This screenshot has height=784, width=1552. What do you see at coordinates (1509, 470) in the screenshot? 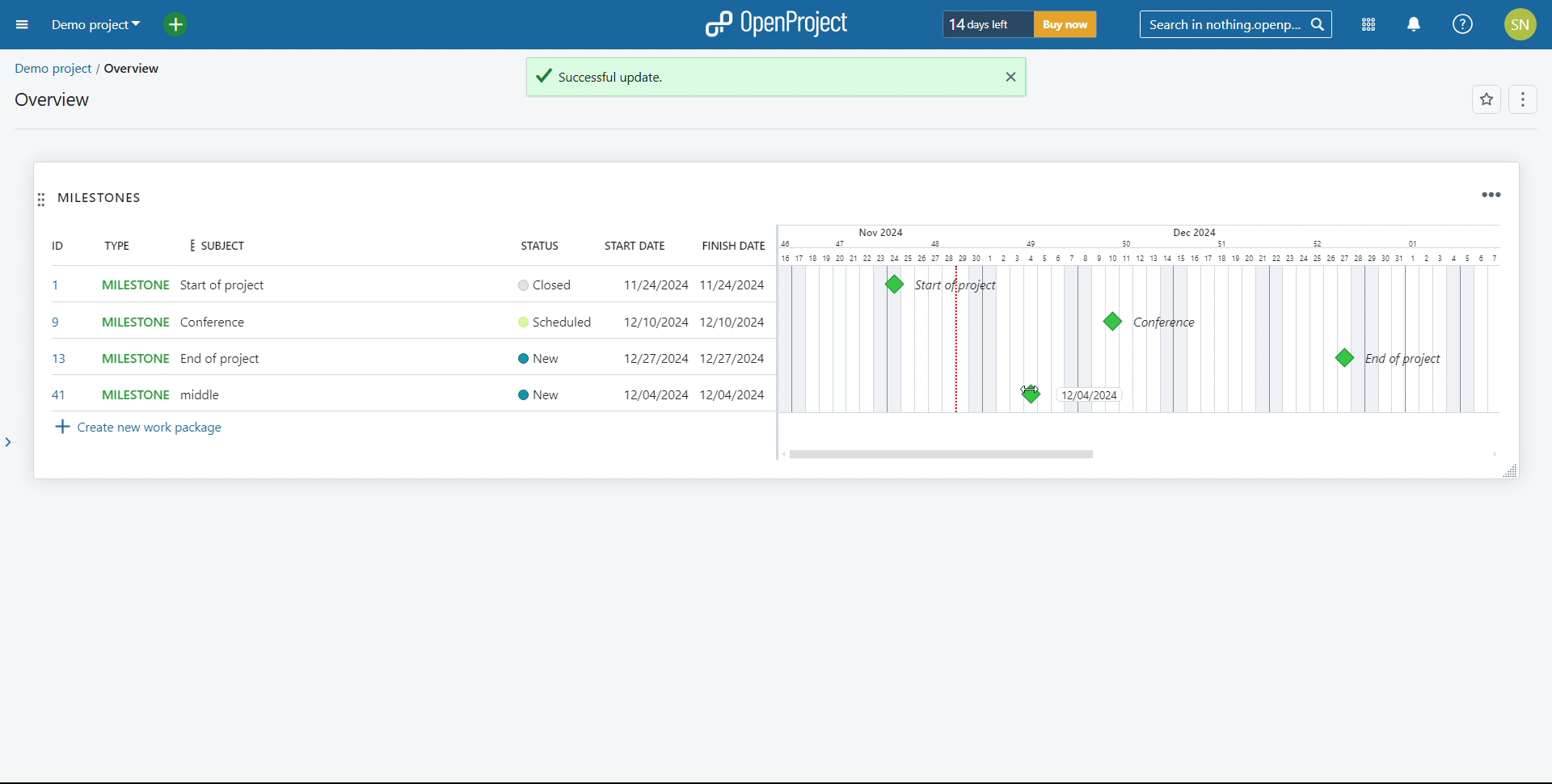
I see `resize` at bounding box center [1509, 470].